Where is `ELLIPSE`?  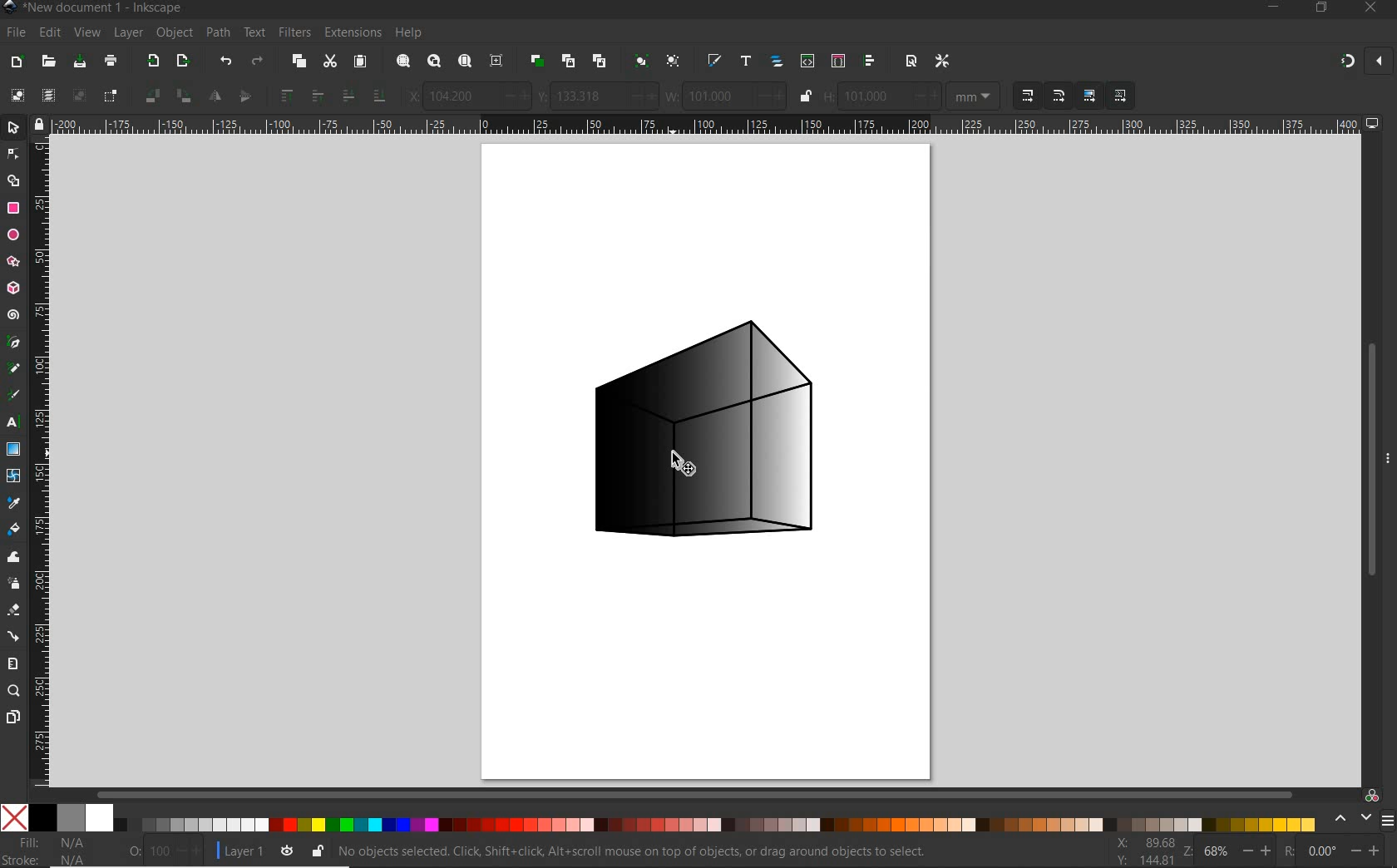
ELLIPSE is located at coordinates (12, 235).